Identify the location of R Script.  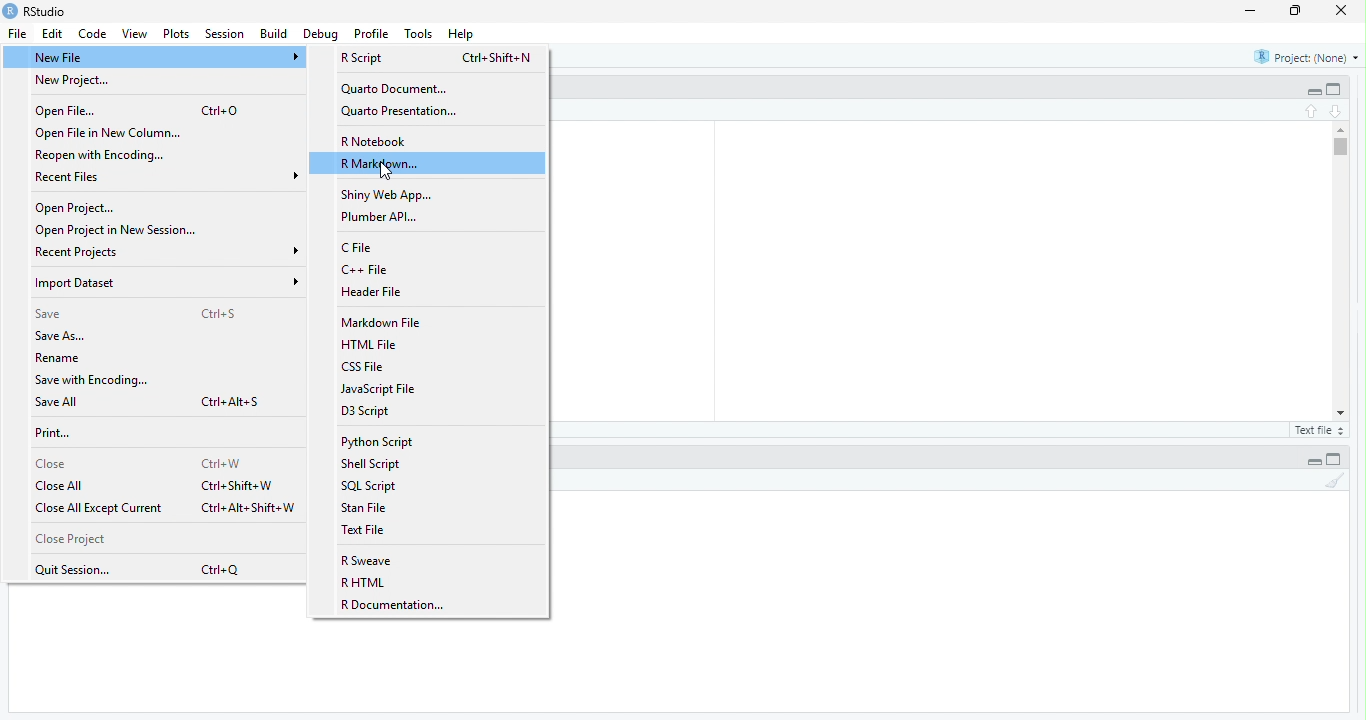
(362, 58).